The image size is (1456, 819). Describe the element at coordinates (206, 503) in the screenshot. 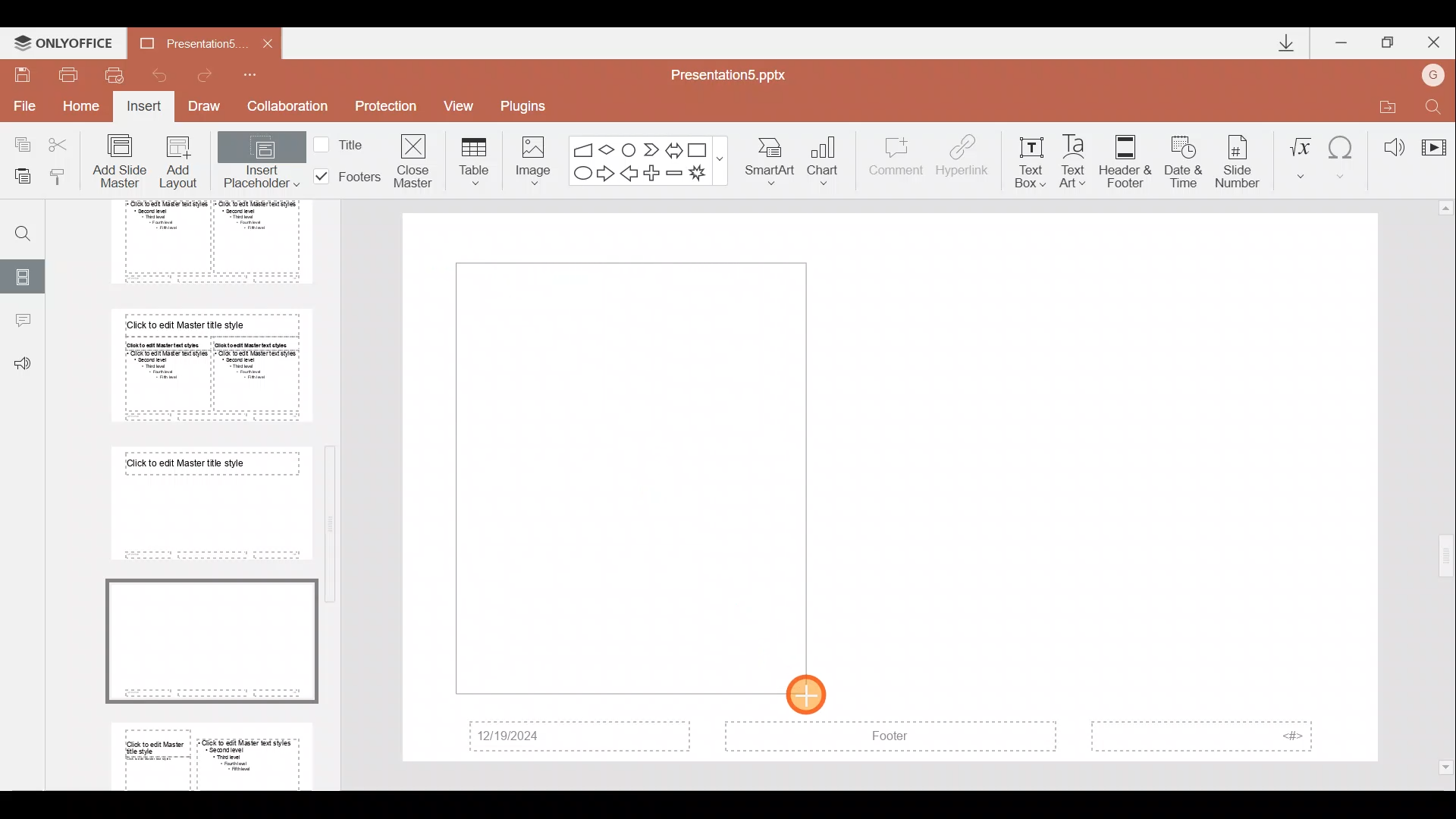

I see `Slide 7` at that location.